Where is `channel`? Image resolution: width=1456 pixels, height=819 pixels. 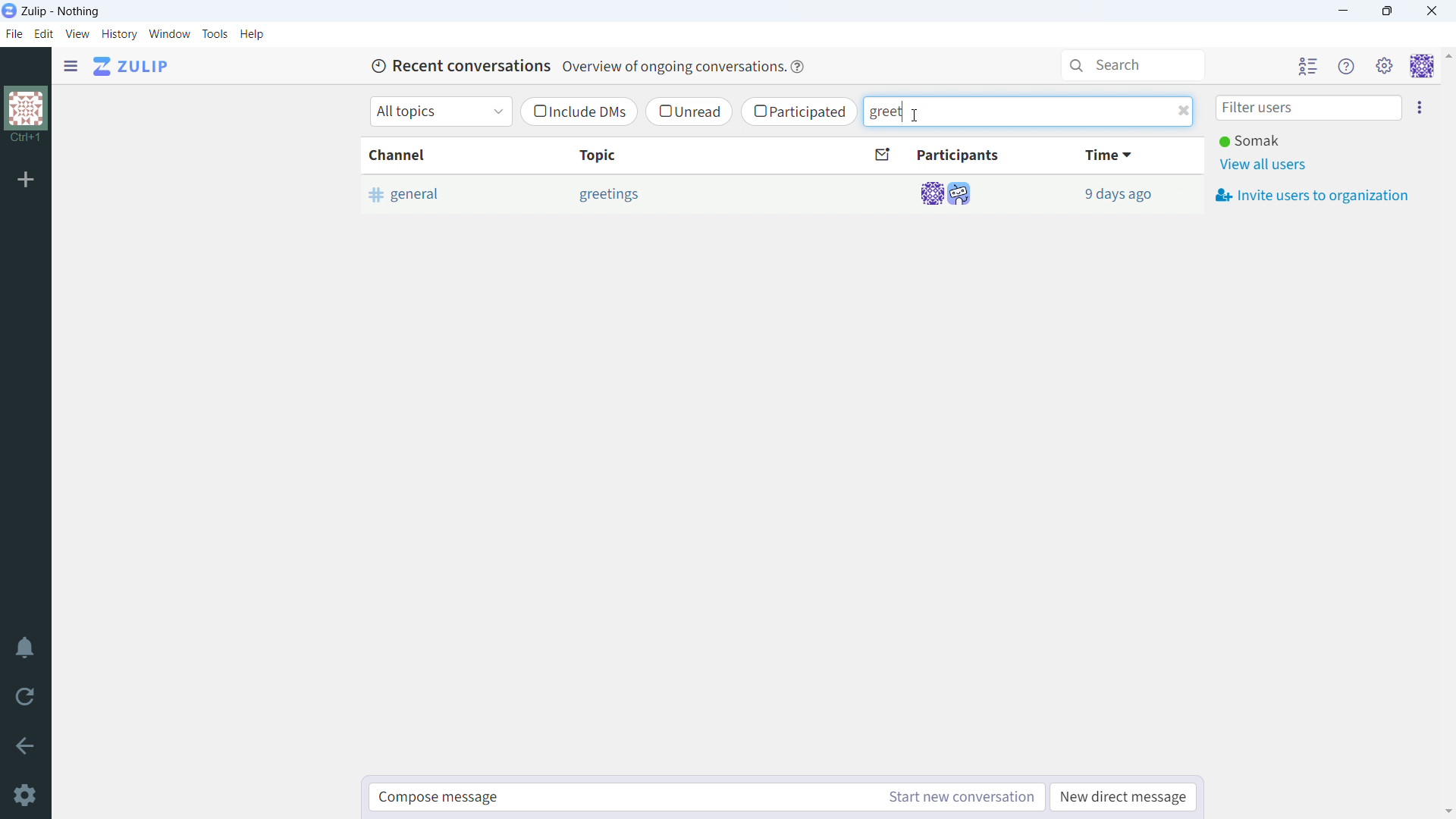 channel is located at coordinates (438, 155).